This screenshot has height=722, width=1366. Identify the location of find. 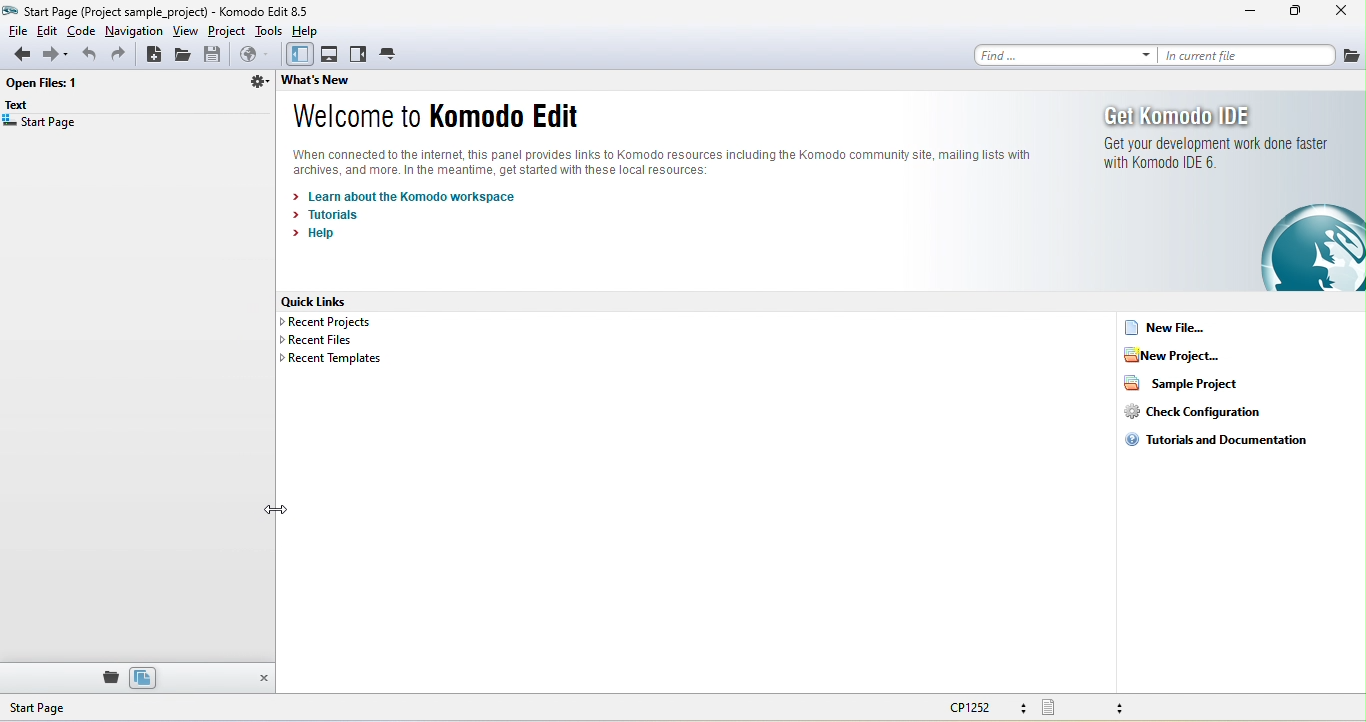
(1059, 54).